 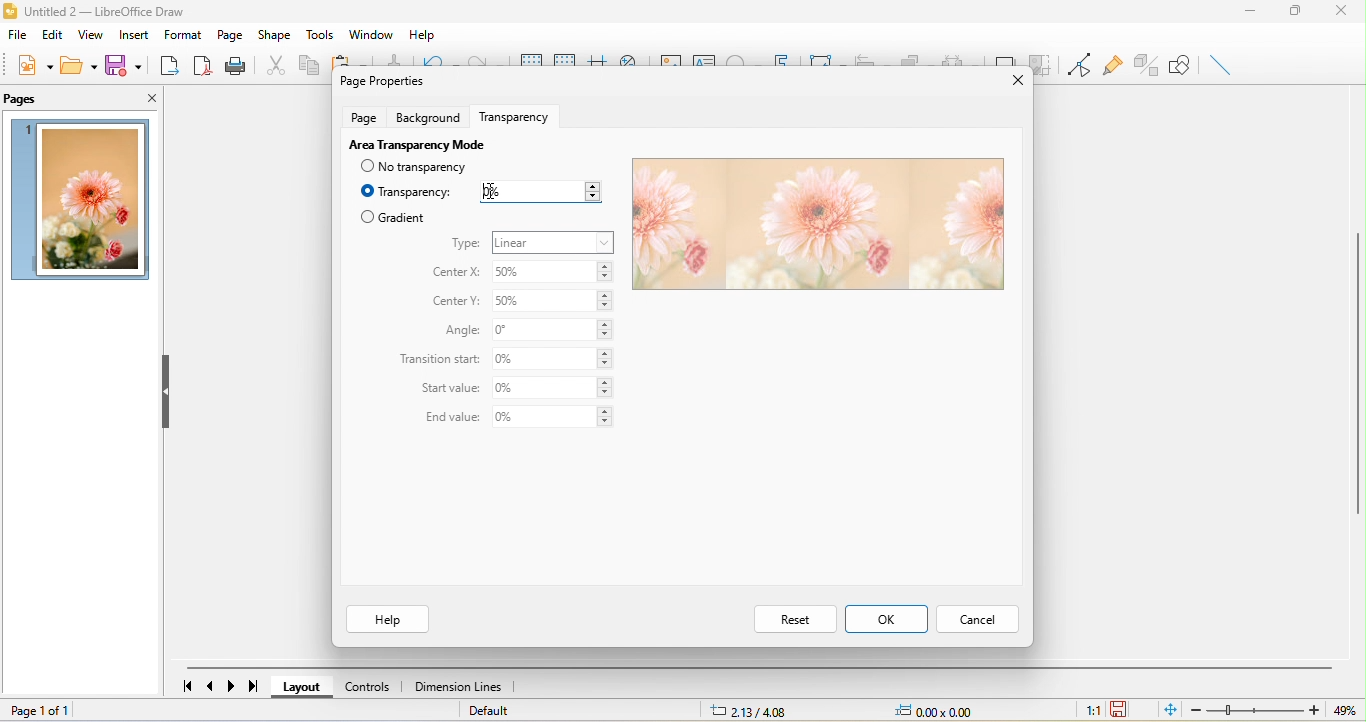 What do you see at coordinates (552, 304) in the screenshot?
I see `50%` at bounding box center [552, 304].